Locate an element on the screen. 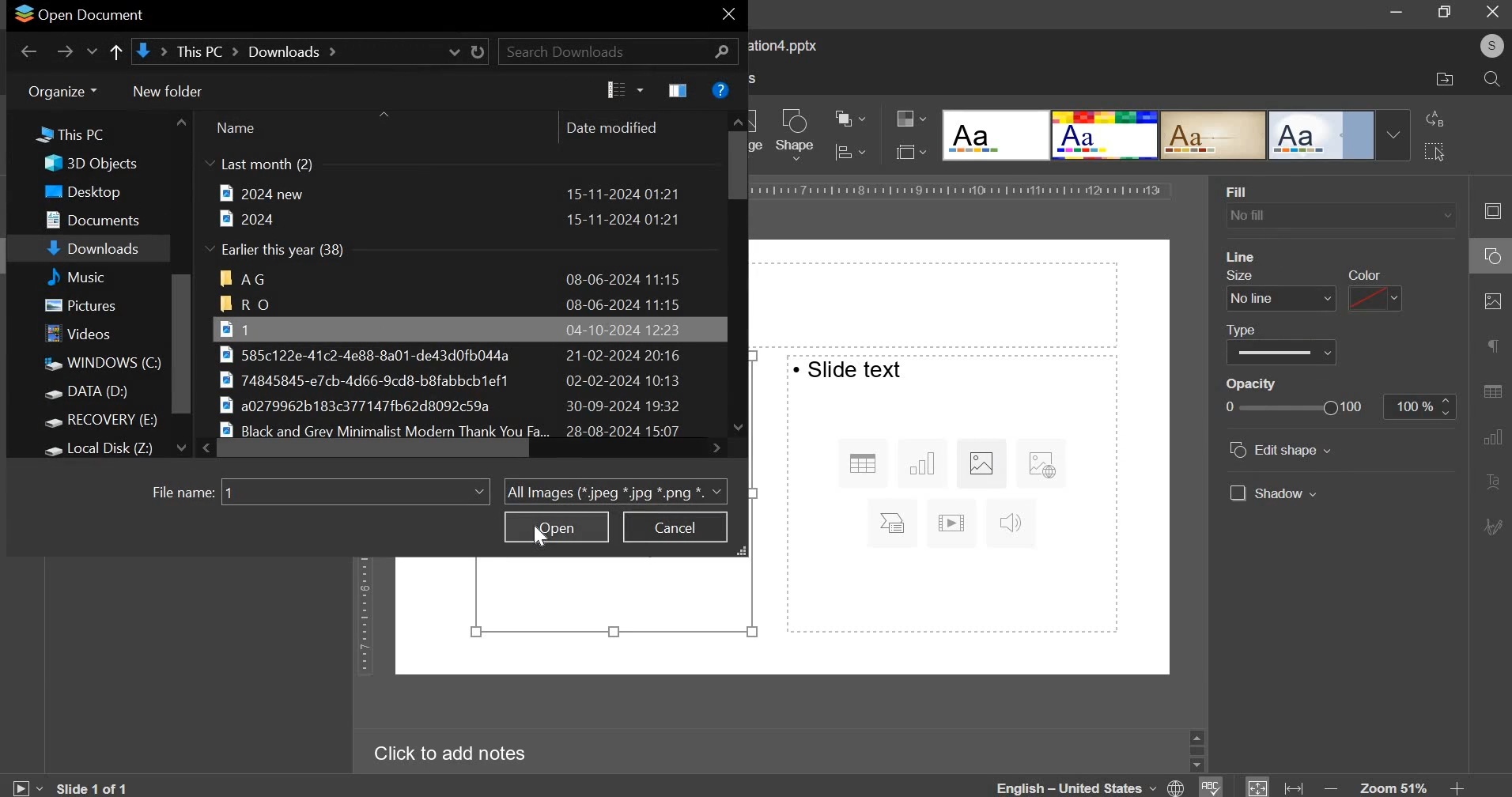 The width and height of the screenshot is (1512, 797). align object is located at coordinates (849, 153).